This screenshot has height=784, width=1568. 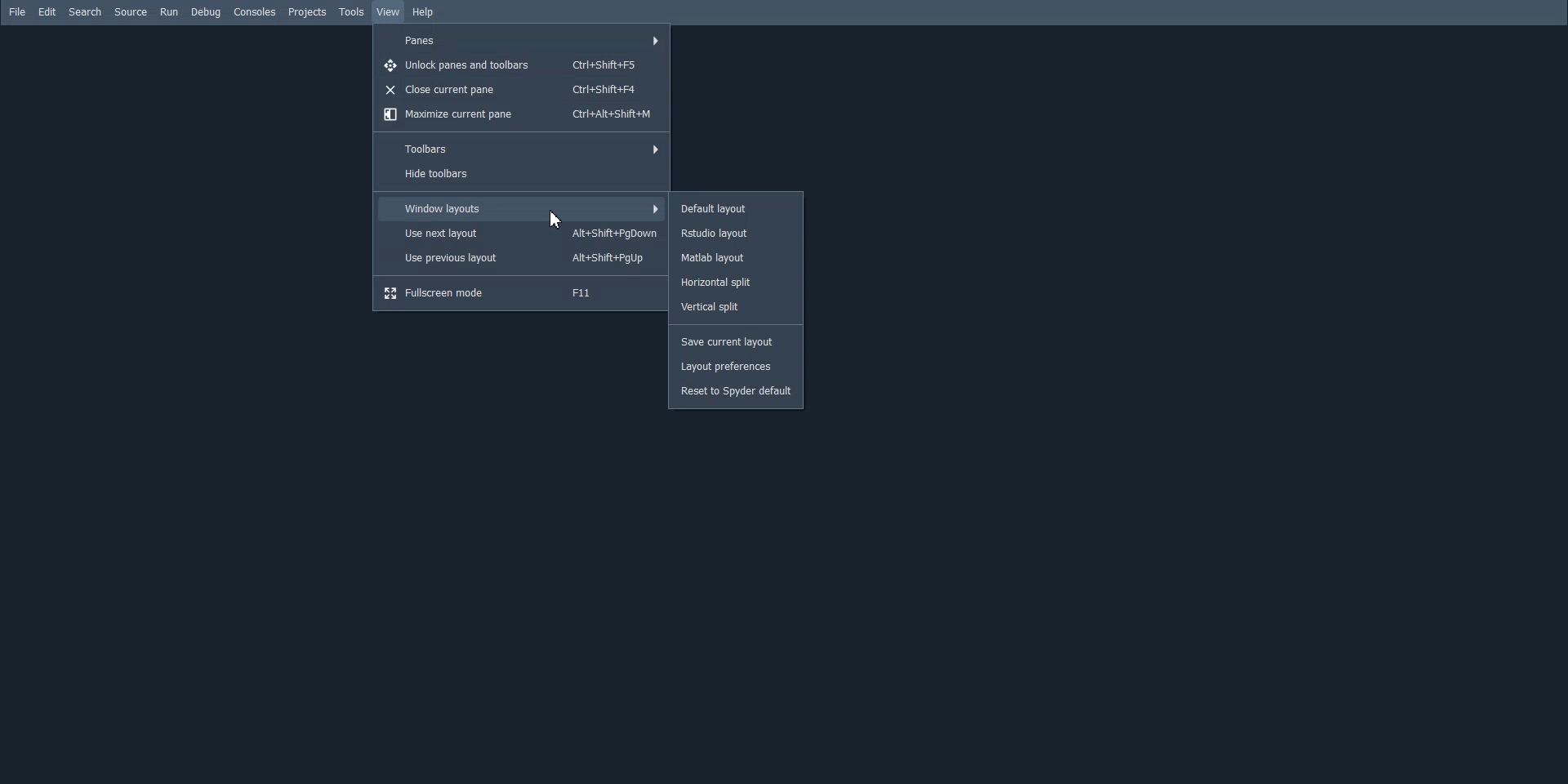 I want to click on Maximize current panes, so click(x=519, y=114).